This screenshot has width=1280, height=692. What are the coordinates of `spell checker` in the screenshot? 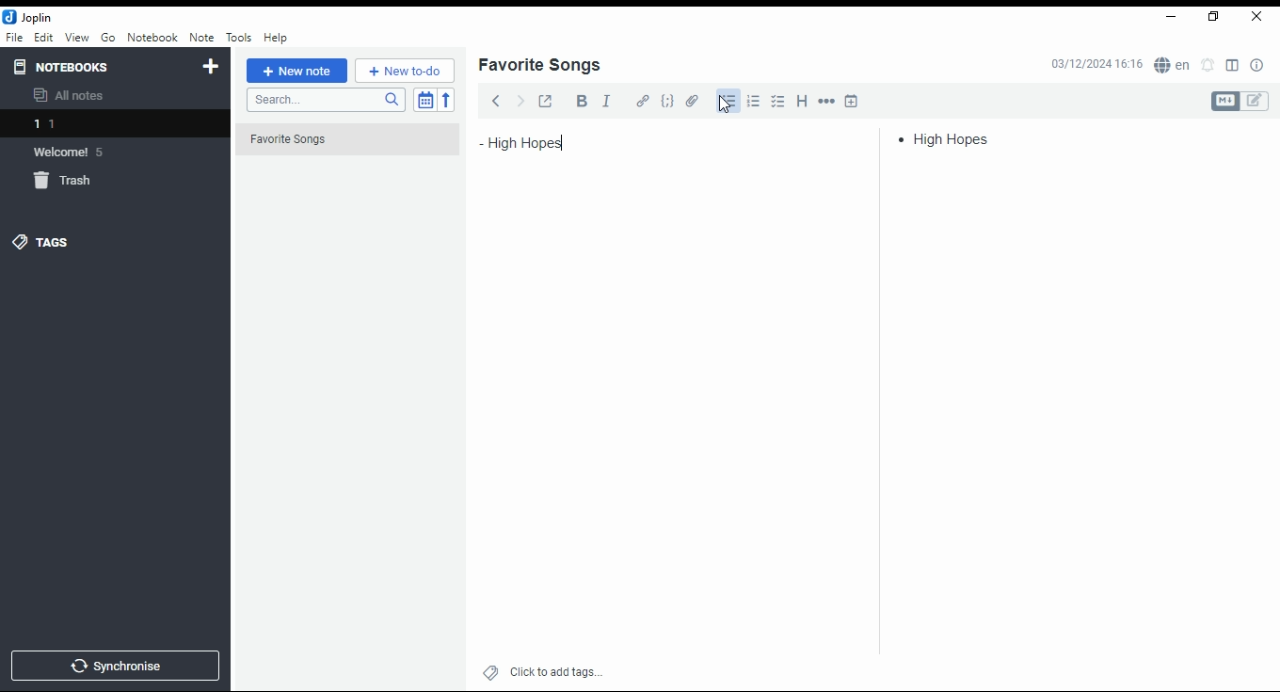 It's located at (1174, 64).